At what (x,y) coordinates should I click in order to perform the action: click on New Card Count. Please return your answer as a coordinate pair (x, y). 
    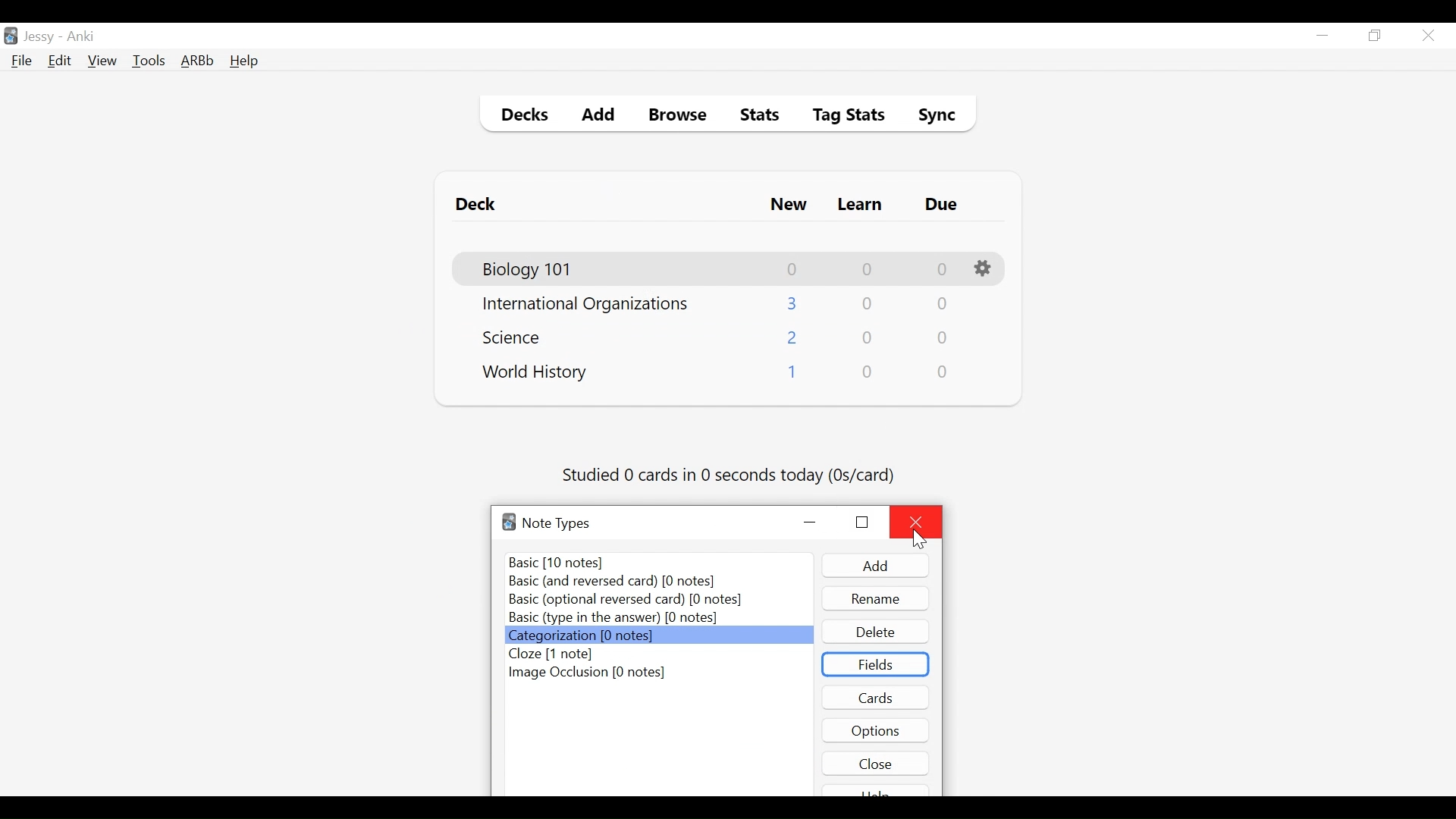
    Looking at the image, I should click on (793, 269).